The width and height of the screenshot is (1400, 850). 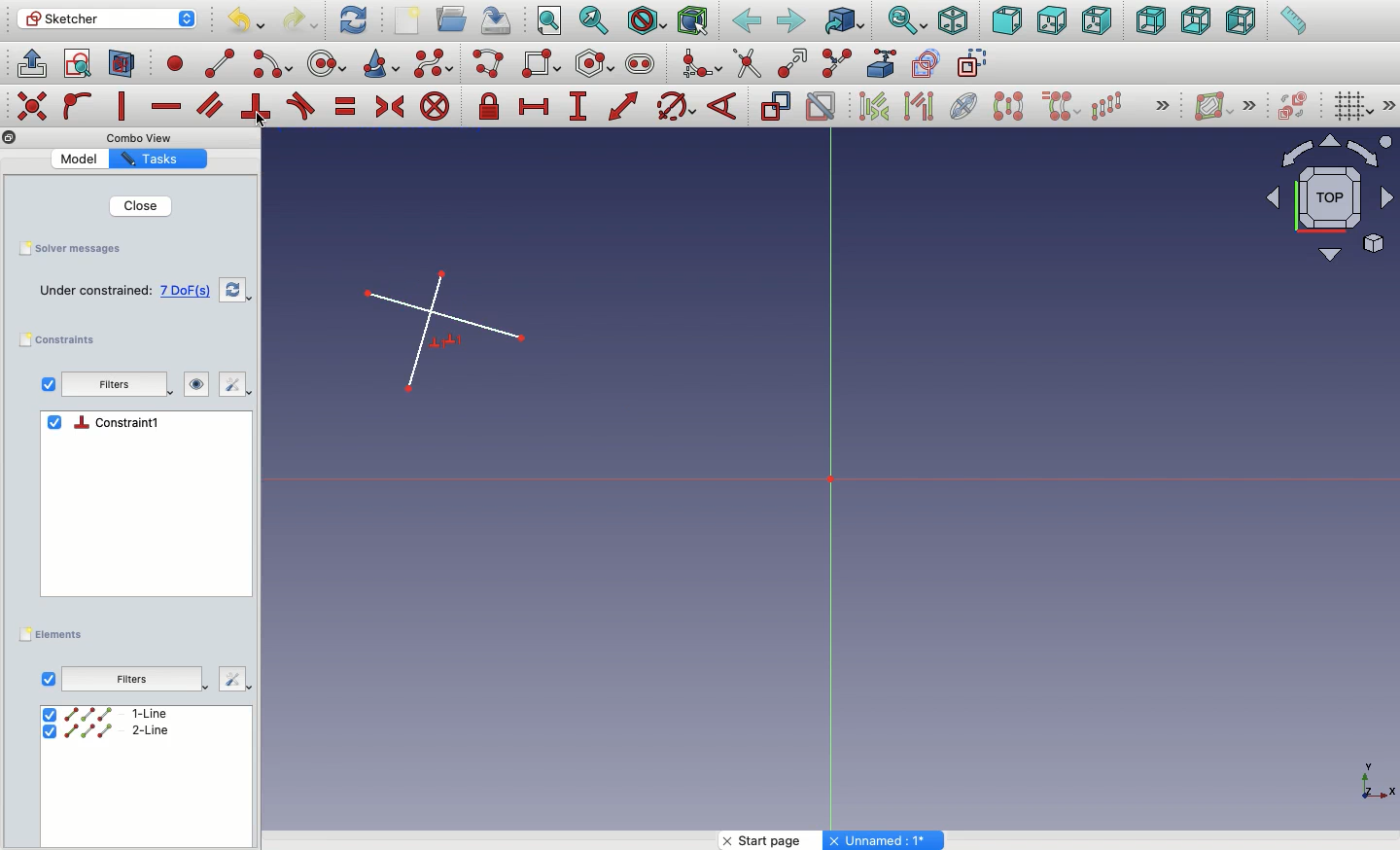 I want to click on Constrain angle, so click(x=724, y=106).